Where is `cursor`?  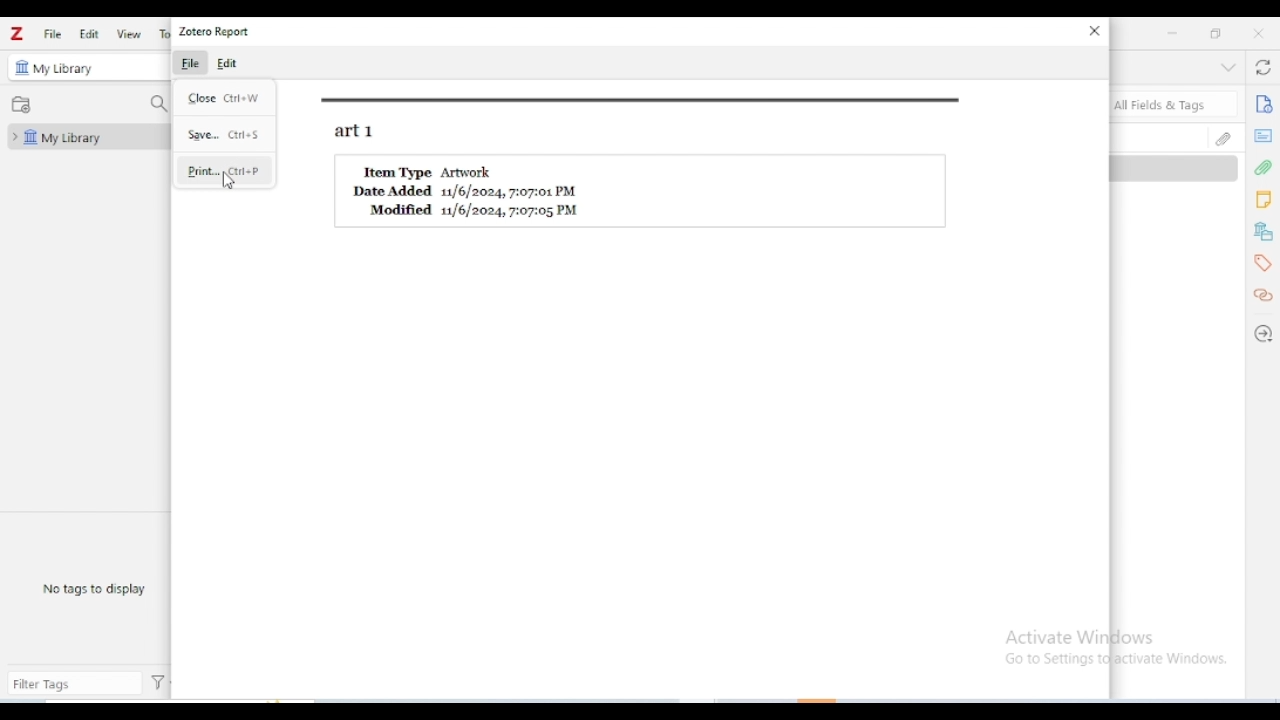
cursor is located at coordinates (229, 182).